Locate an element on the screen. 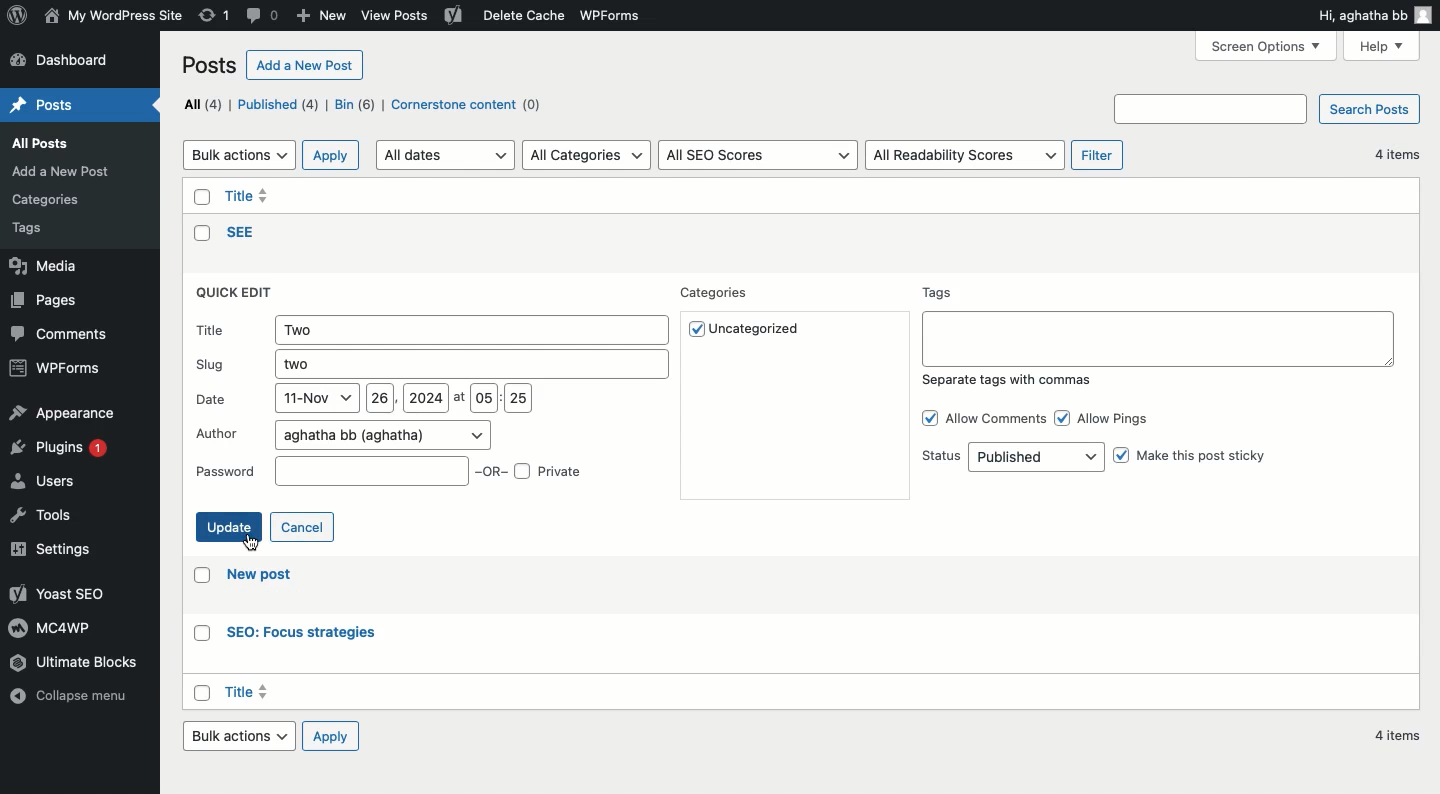 The height and width of the screenshot is (794, 1440). Apply is located at coordinates (331, 154).